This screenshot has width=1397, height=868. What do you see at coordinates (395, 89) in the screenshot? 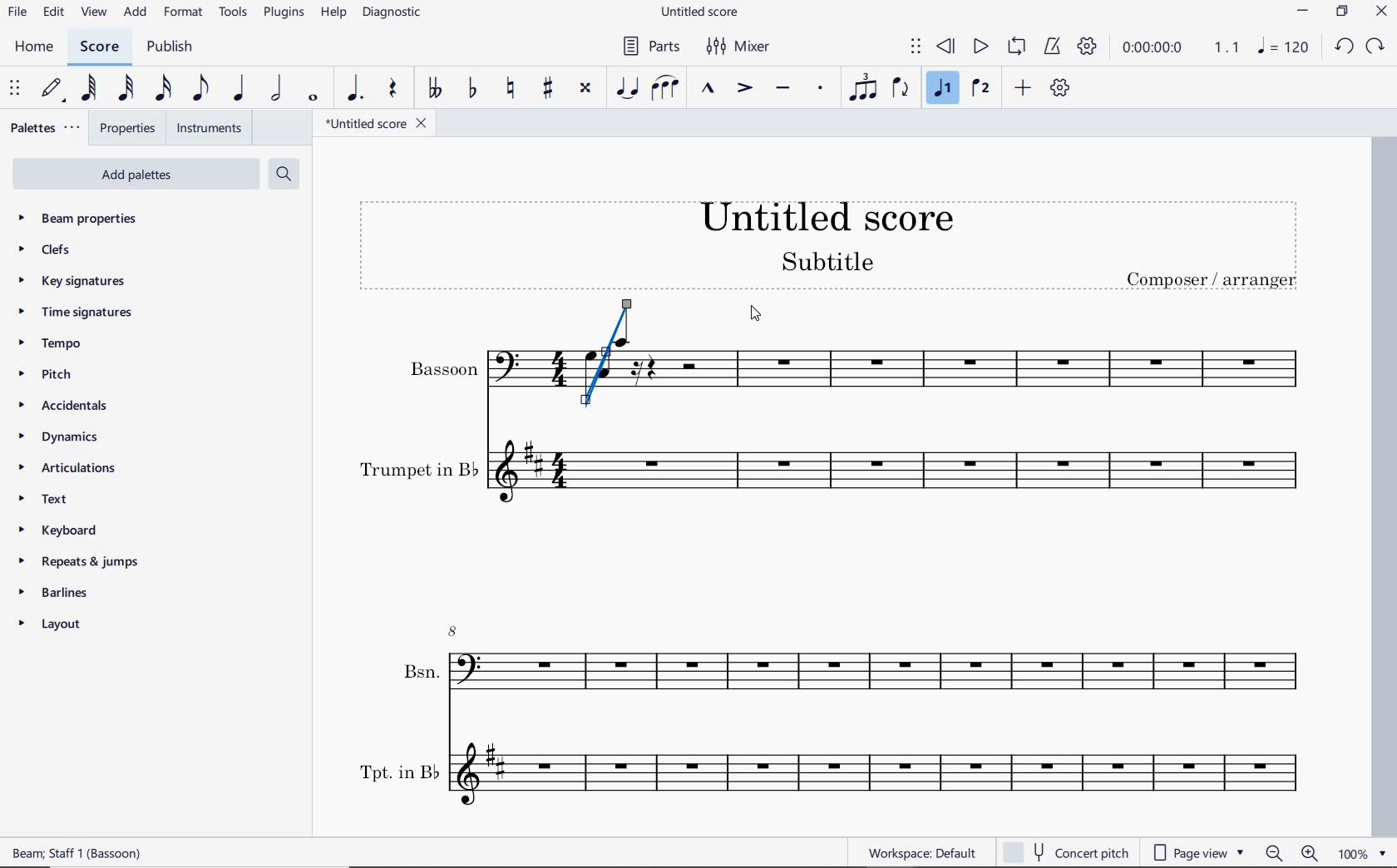
I see `rest` at bounding box center [395, 89].